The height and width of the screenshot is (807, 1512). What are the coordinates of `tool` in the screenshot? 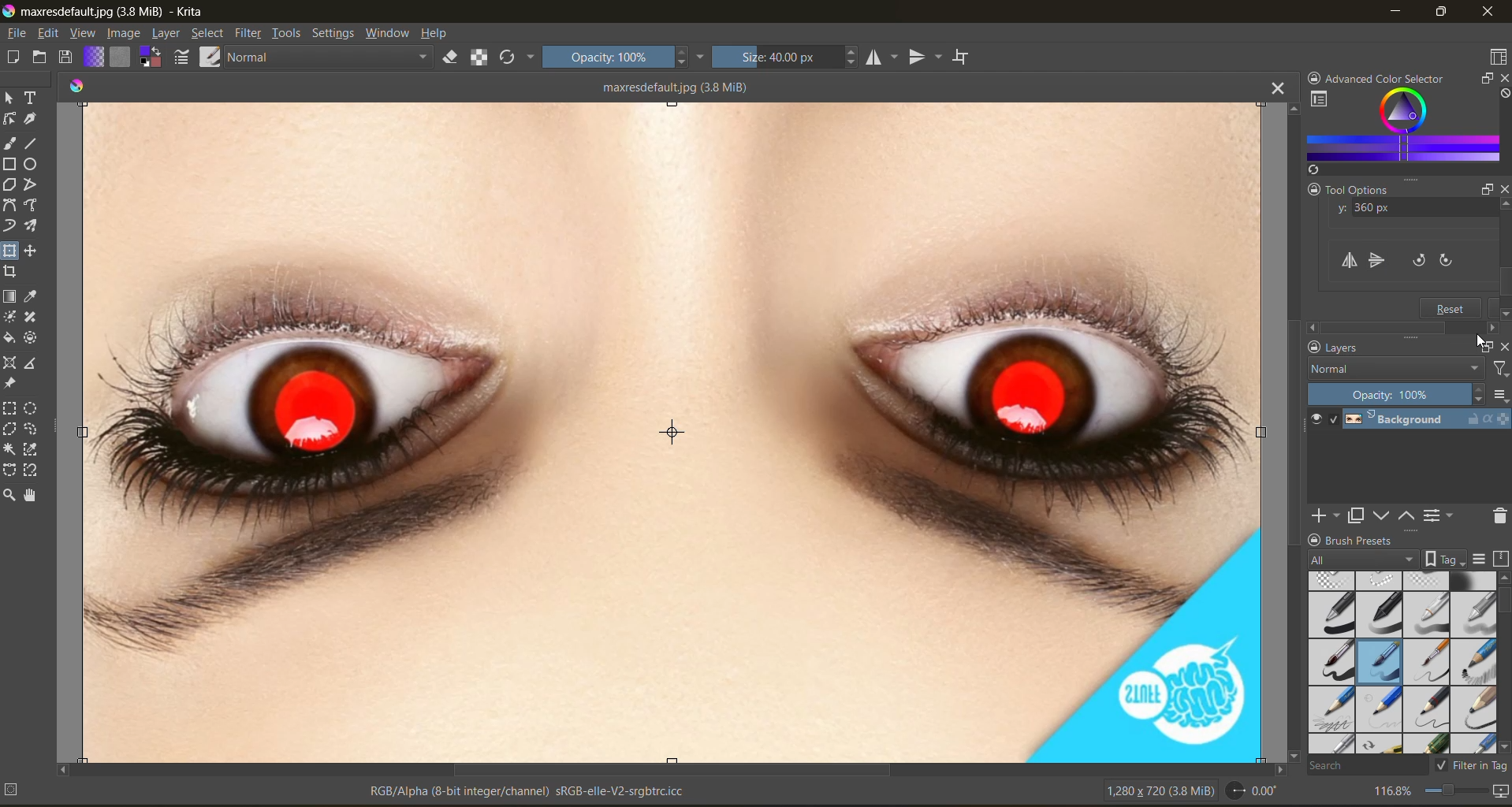 It's located at (32, 471).